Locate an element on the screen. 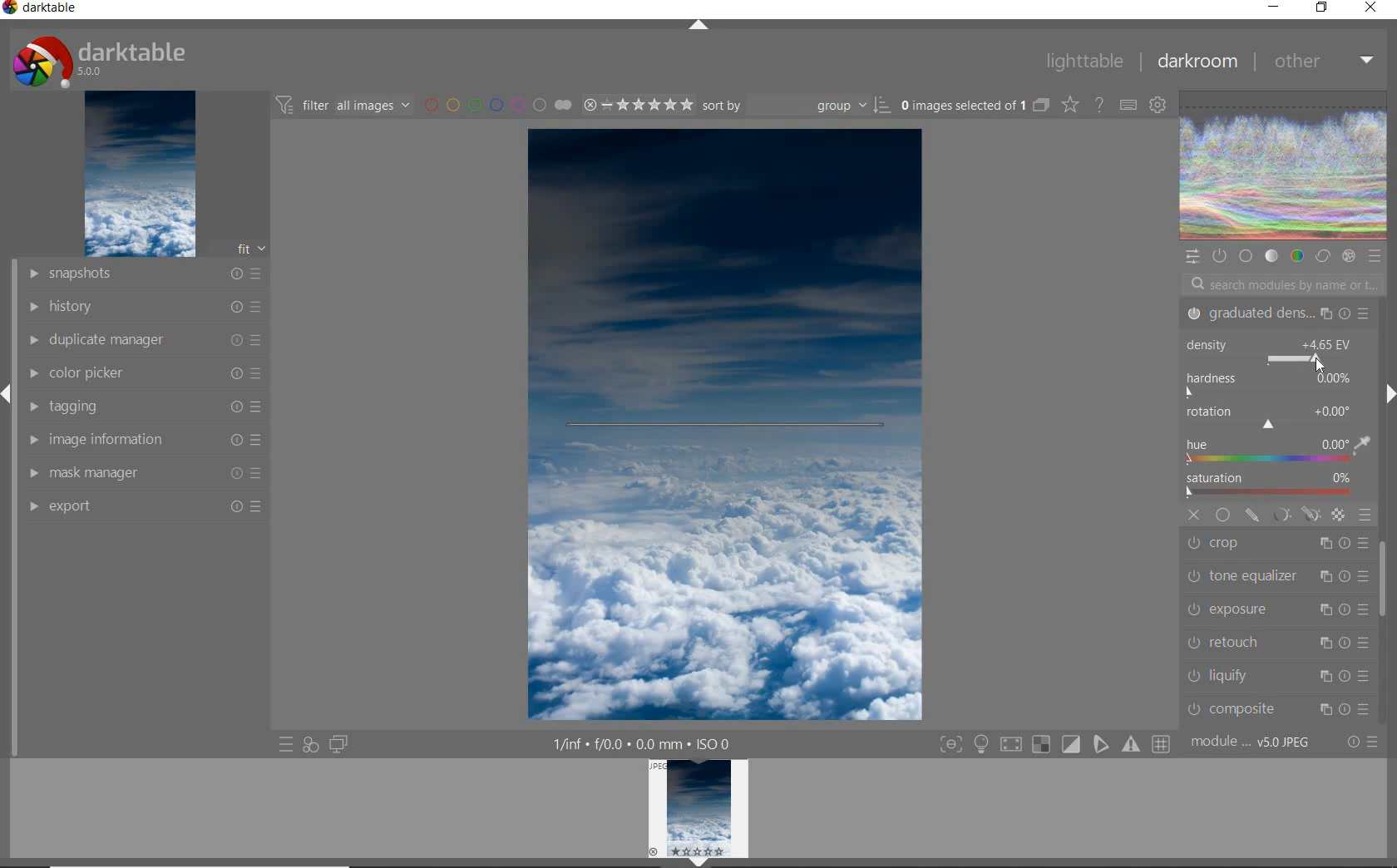 The width and height of the screenshot is (1397, 868). UNIFORMLY is located at coordinates (1222, 515).